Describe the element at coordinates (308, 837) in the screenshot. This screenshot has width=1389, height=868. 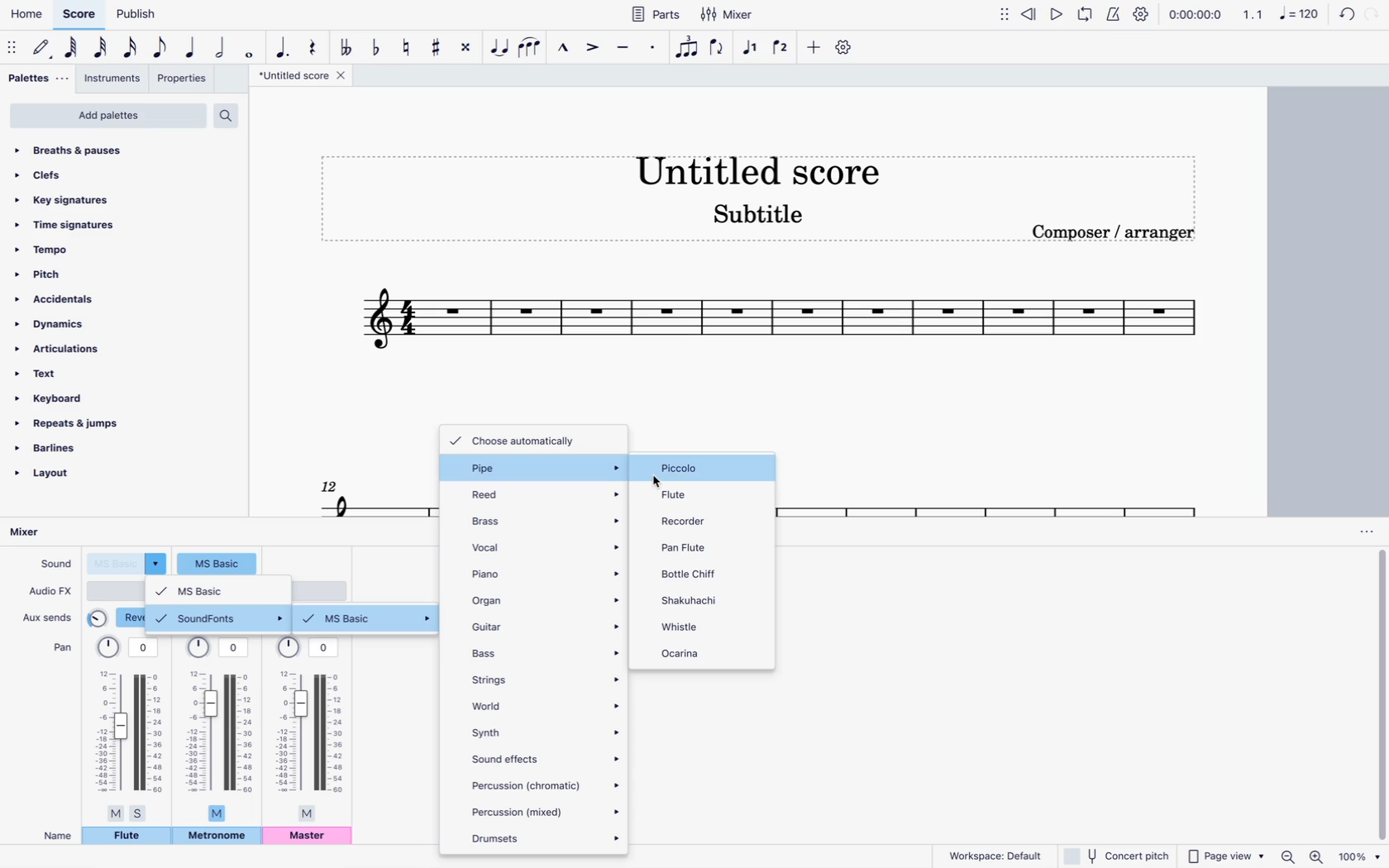
I see `master` at that location.